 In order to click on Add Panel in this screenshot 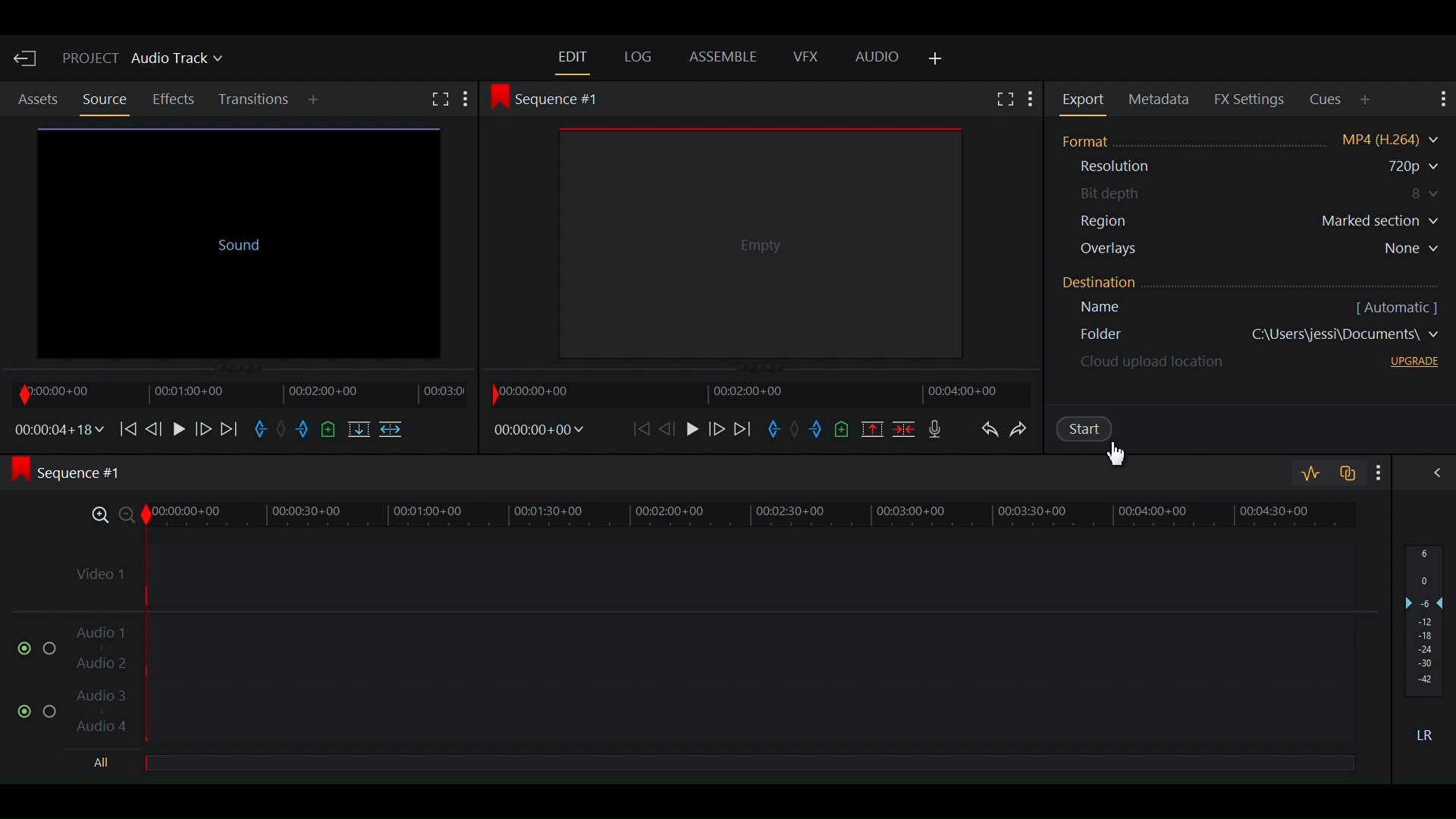, I will do `click(316, 101)`.